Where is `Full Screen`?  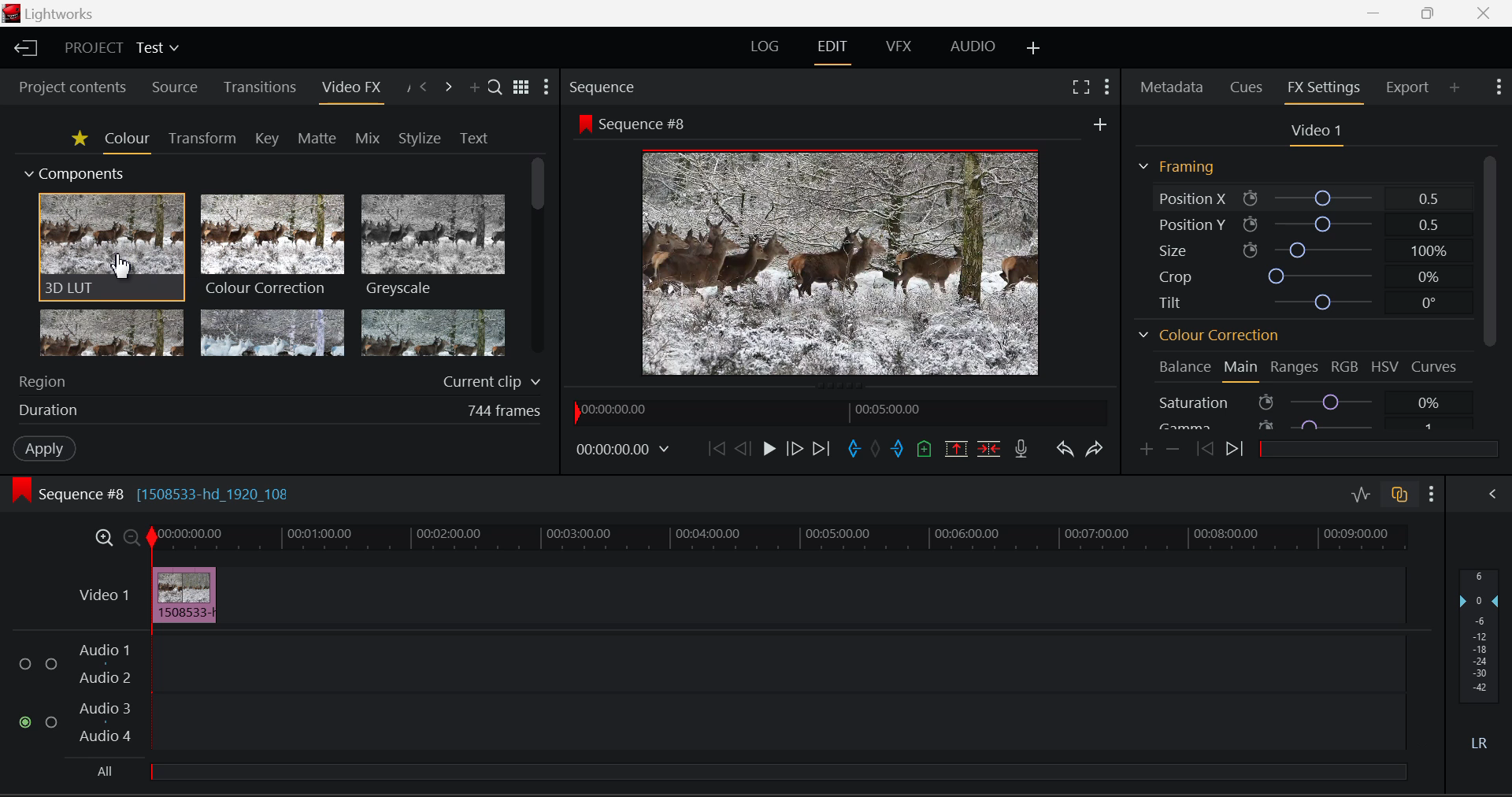
Full Screen is located at coordinates (1080, 86).